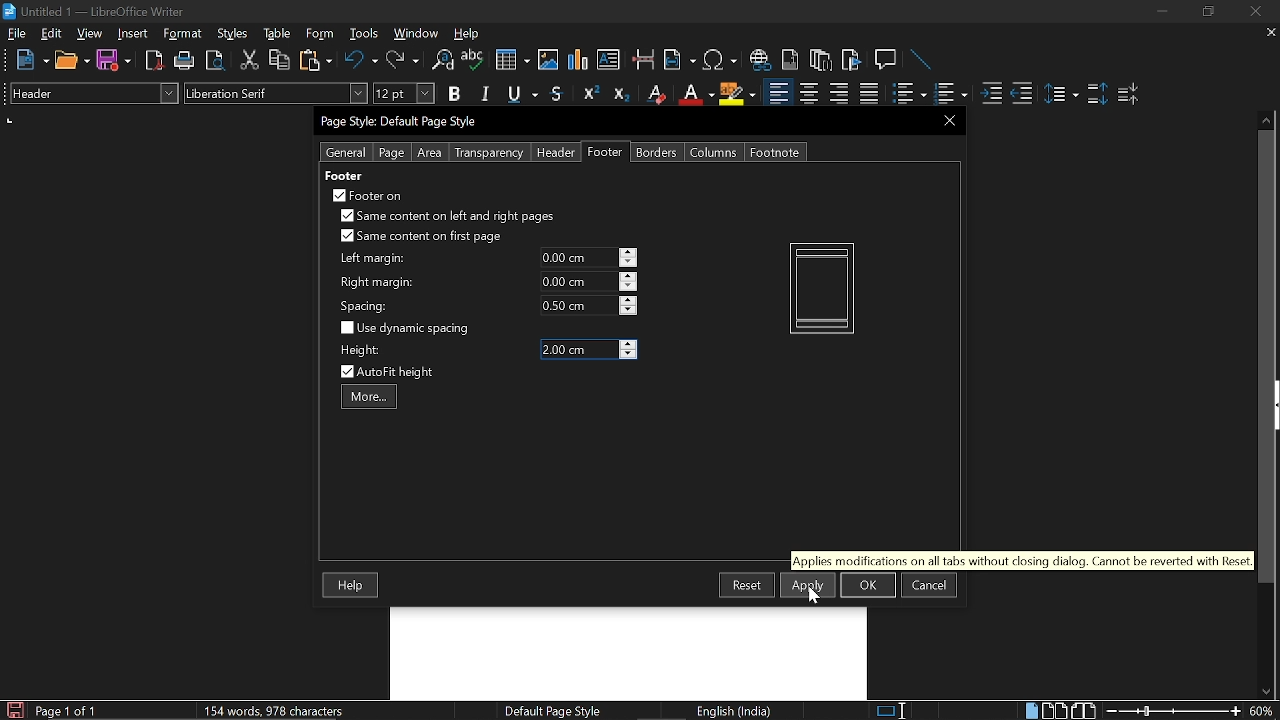 This screenshot has width=1280, height=720. What do you see at coordinates (895, 711) in the screenshot?
I see `Standard seleciton` at bounding box center [895, 711].